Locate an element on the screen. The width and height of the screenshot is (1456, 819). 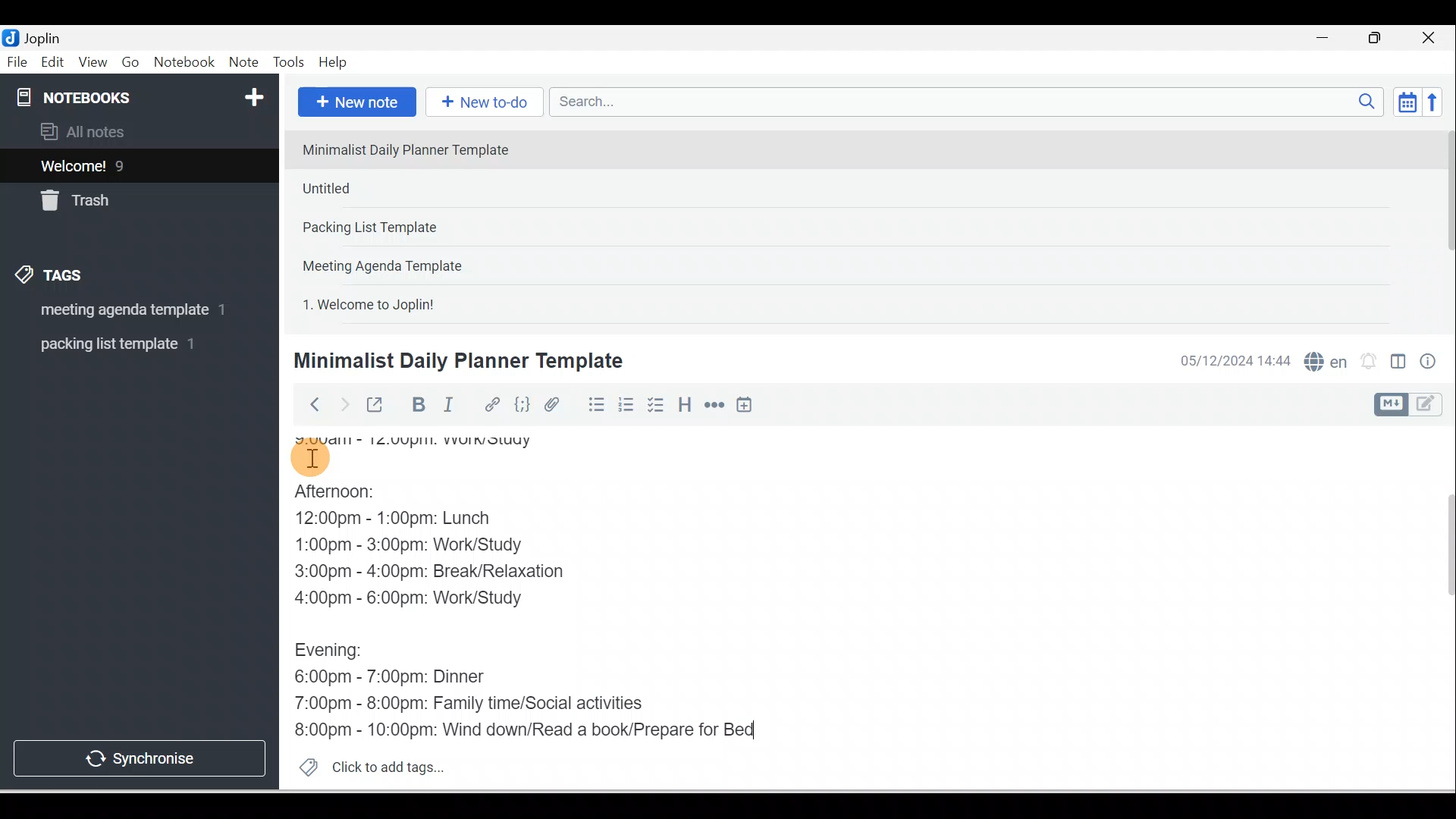
Insert time is located at coordinates (744, 406).